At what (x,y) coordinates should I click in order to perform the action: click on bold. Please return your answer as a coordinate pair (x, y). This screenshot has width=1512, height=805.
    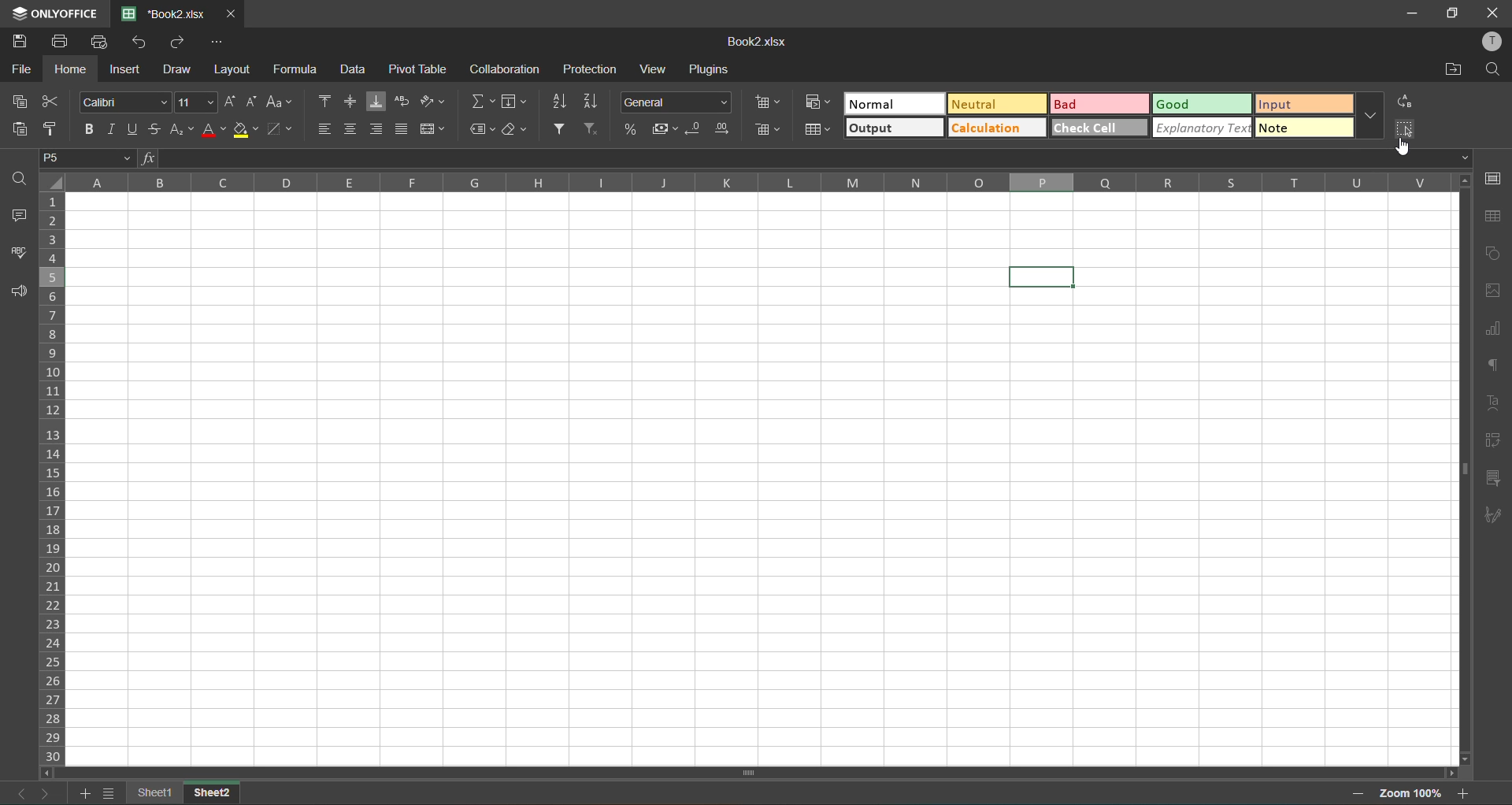
    Looking at the image, I should click on (89, 131).